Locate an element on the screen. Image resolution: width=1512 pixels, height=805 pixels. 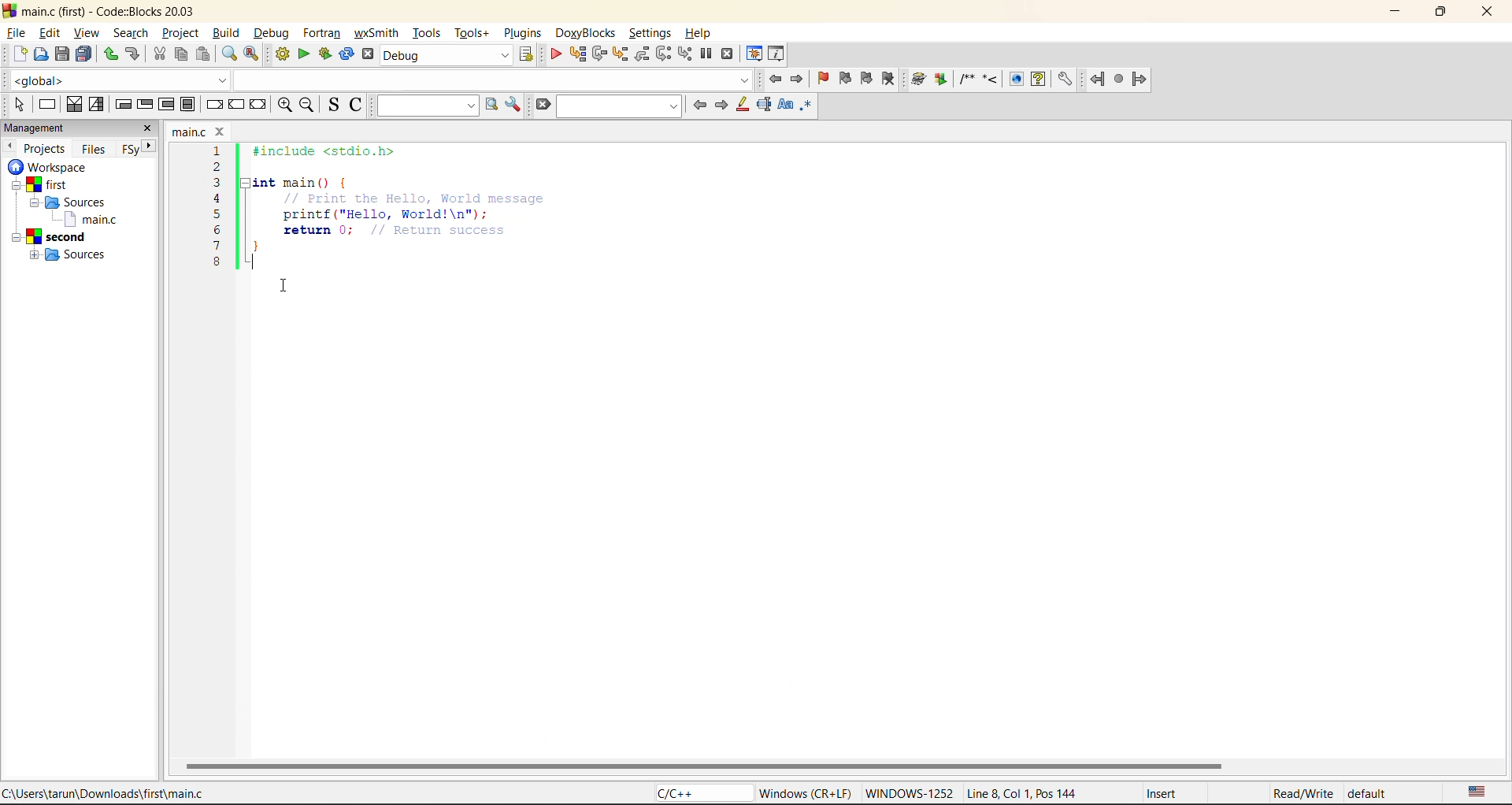
tools+ is located at coordinates (476, 33).